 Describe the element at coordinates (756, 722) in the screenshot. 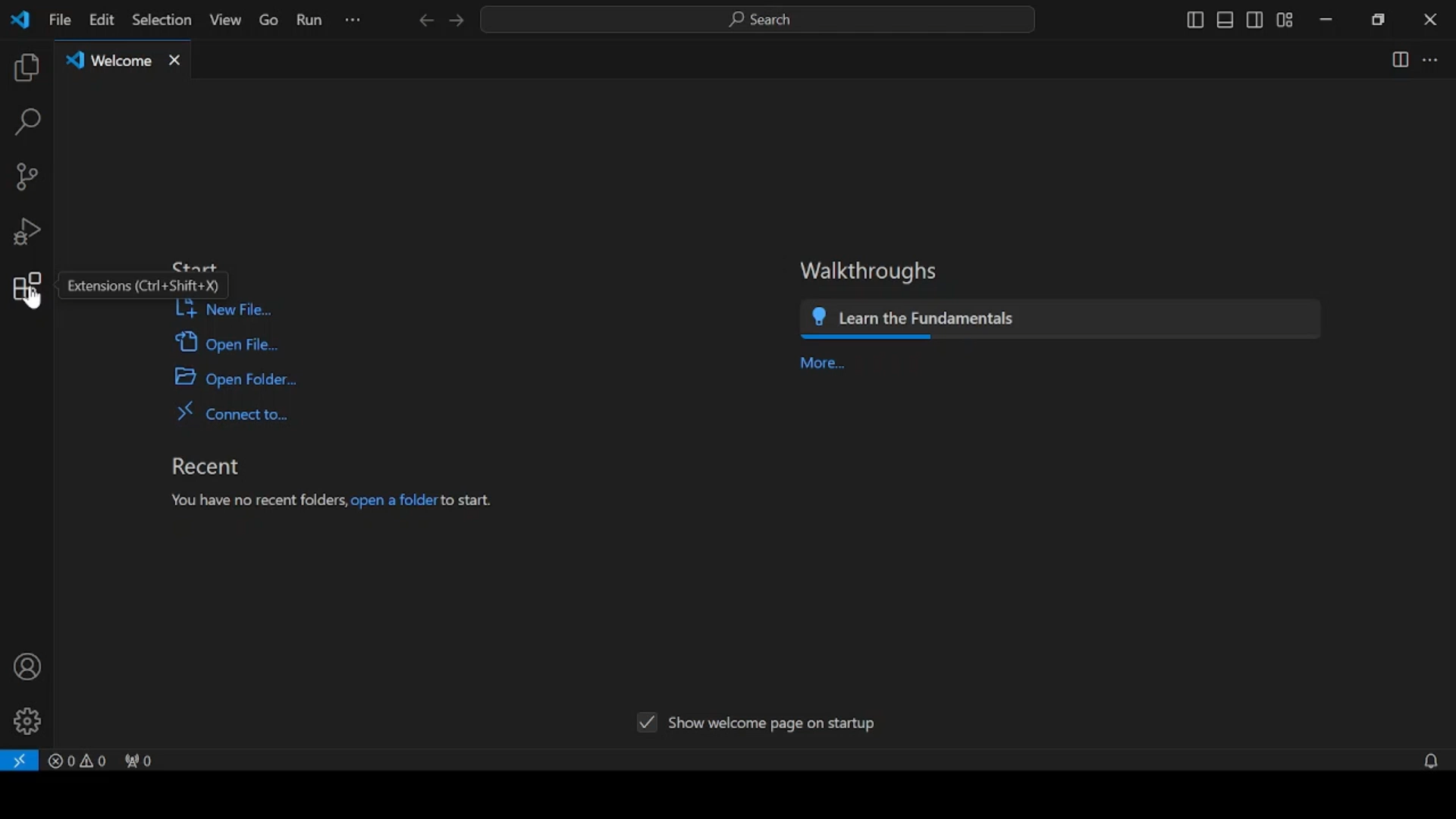

I see `show welcome page on startup` at that location.